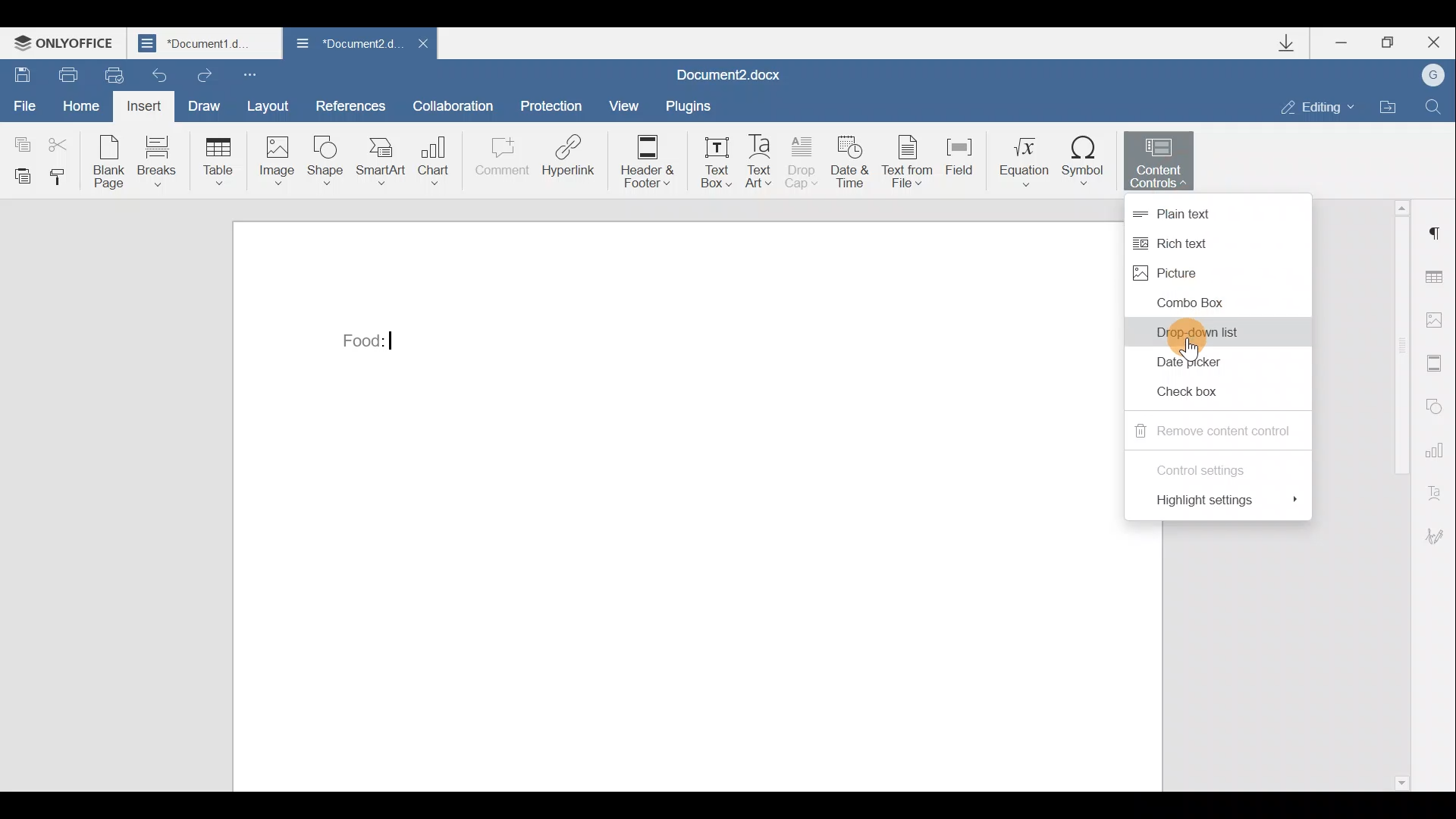  I want to click on Rich text, so click(1184, 246).